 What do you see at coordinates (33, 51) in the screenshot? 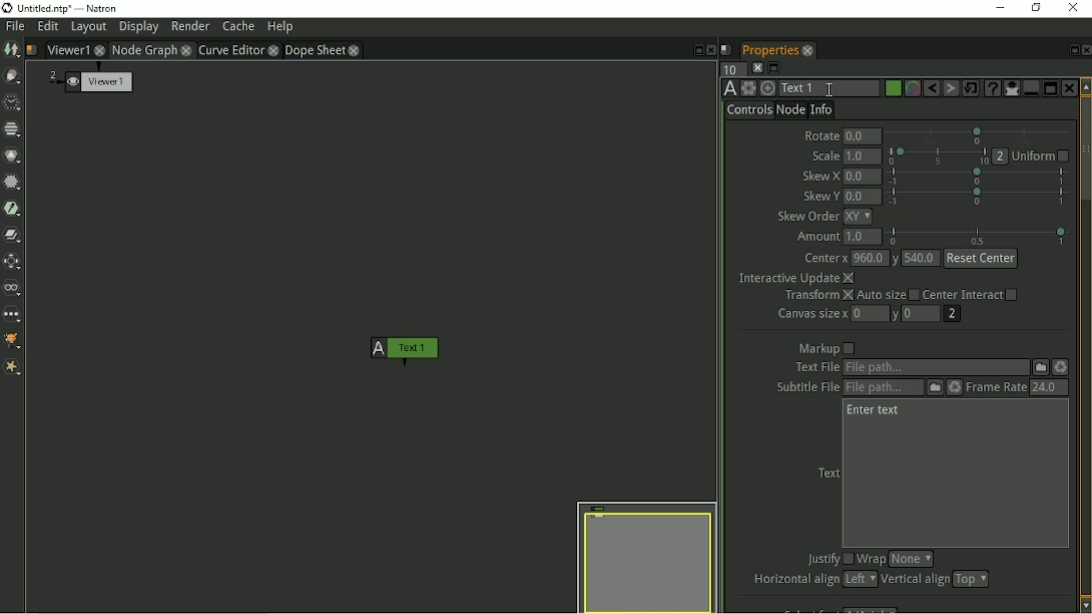
I see `Script name` at bounding box center [33, 51].